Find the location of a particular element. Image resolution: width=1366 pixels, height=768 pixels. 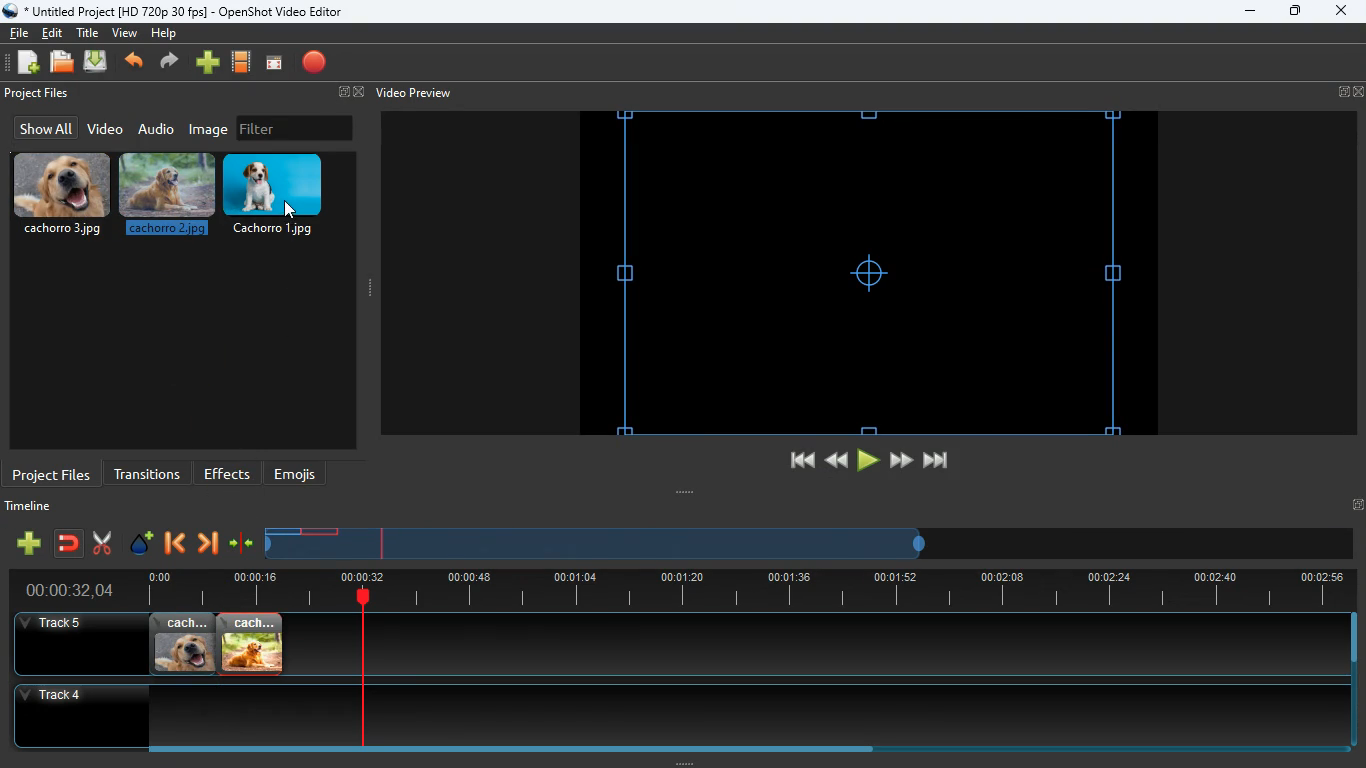

effects is located at coordinates (228, 473).